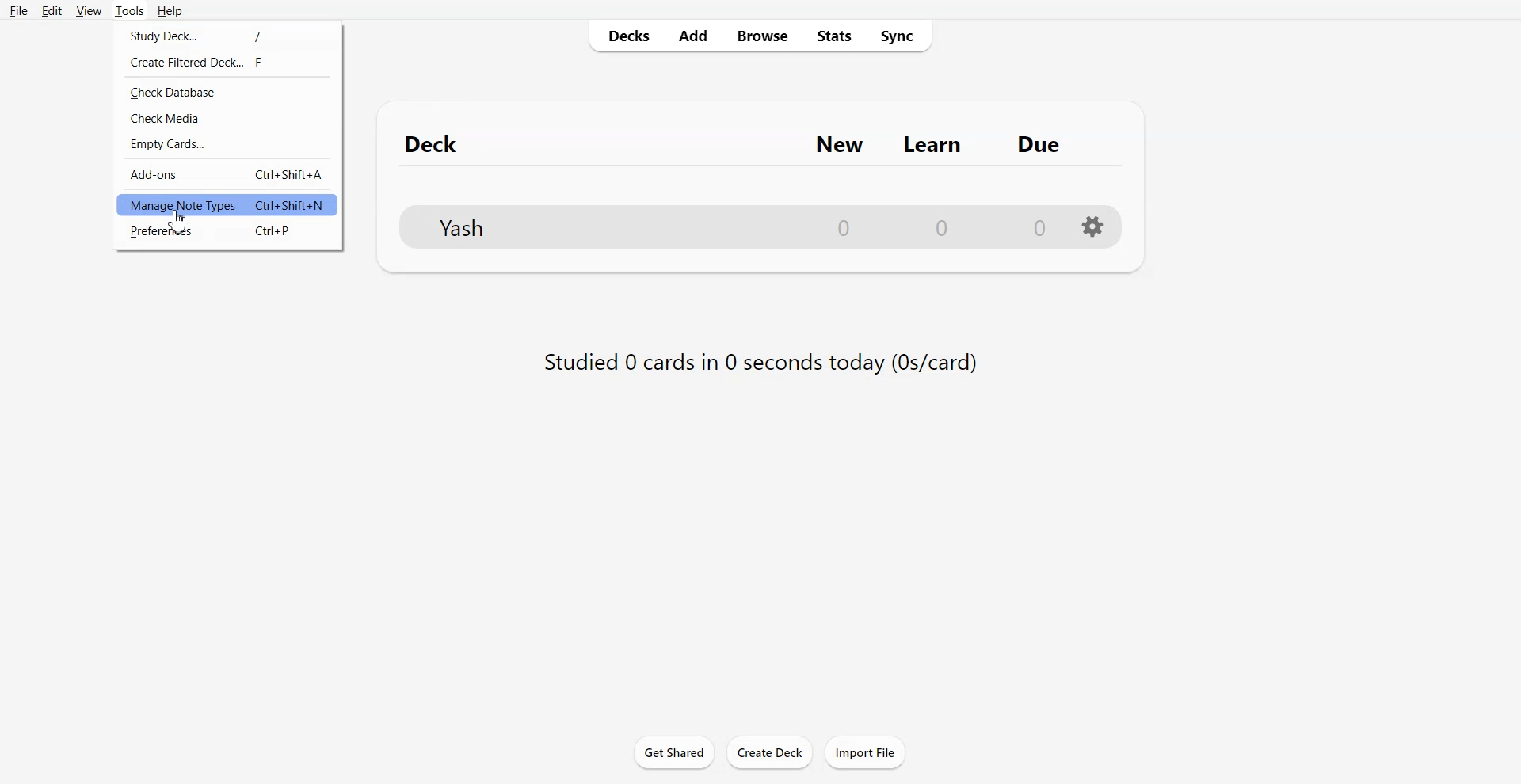 The image size is (1521, 784). What do you see at coordinates (169, 11) in the screenshot?
I see `Help` at bounding box center [169, 11].